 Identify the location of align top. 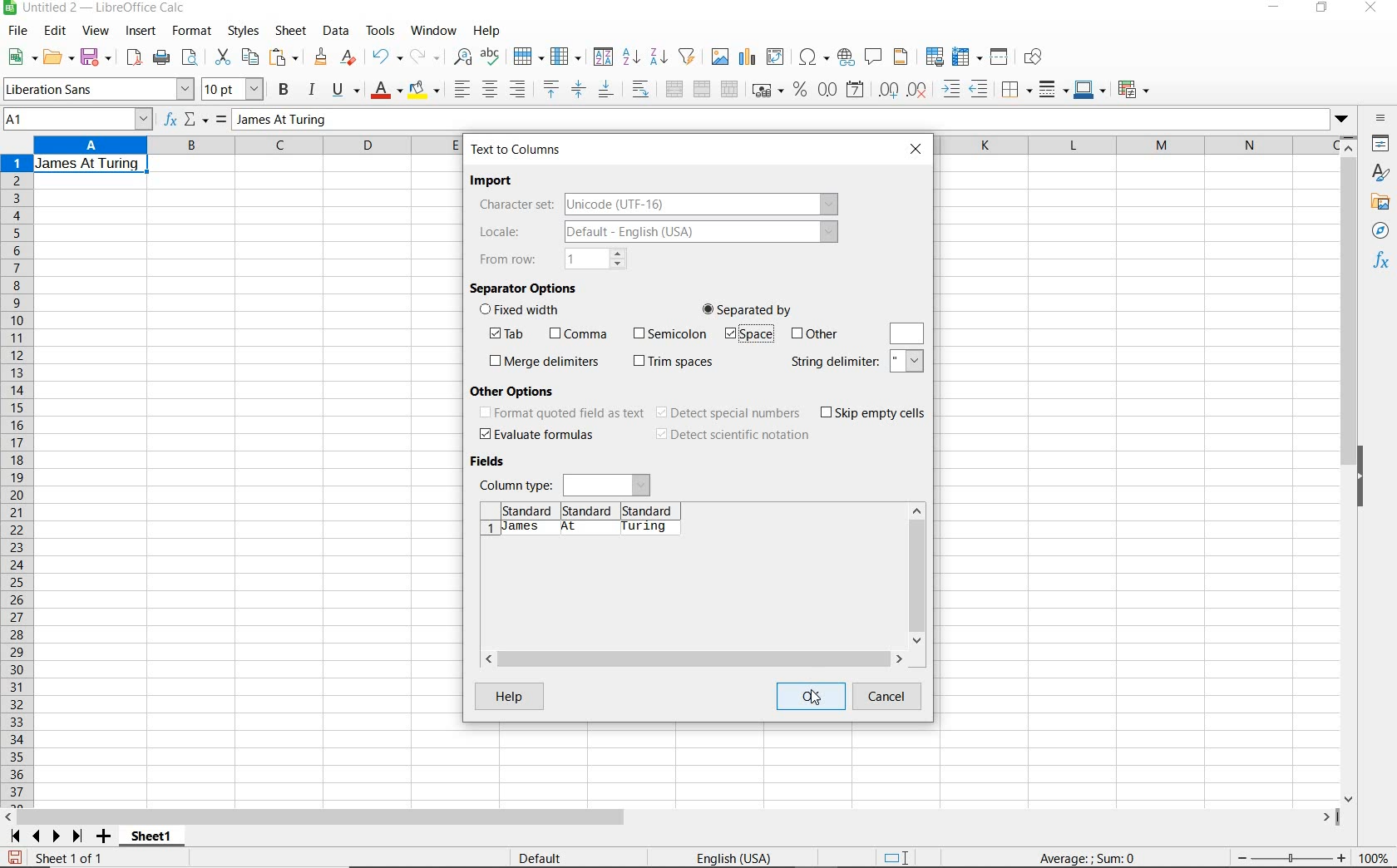
(550, 89).